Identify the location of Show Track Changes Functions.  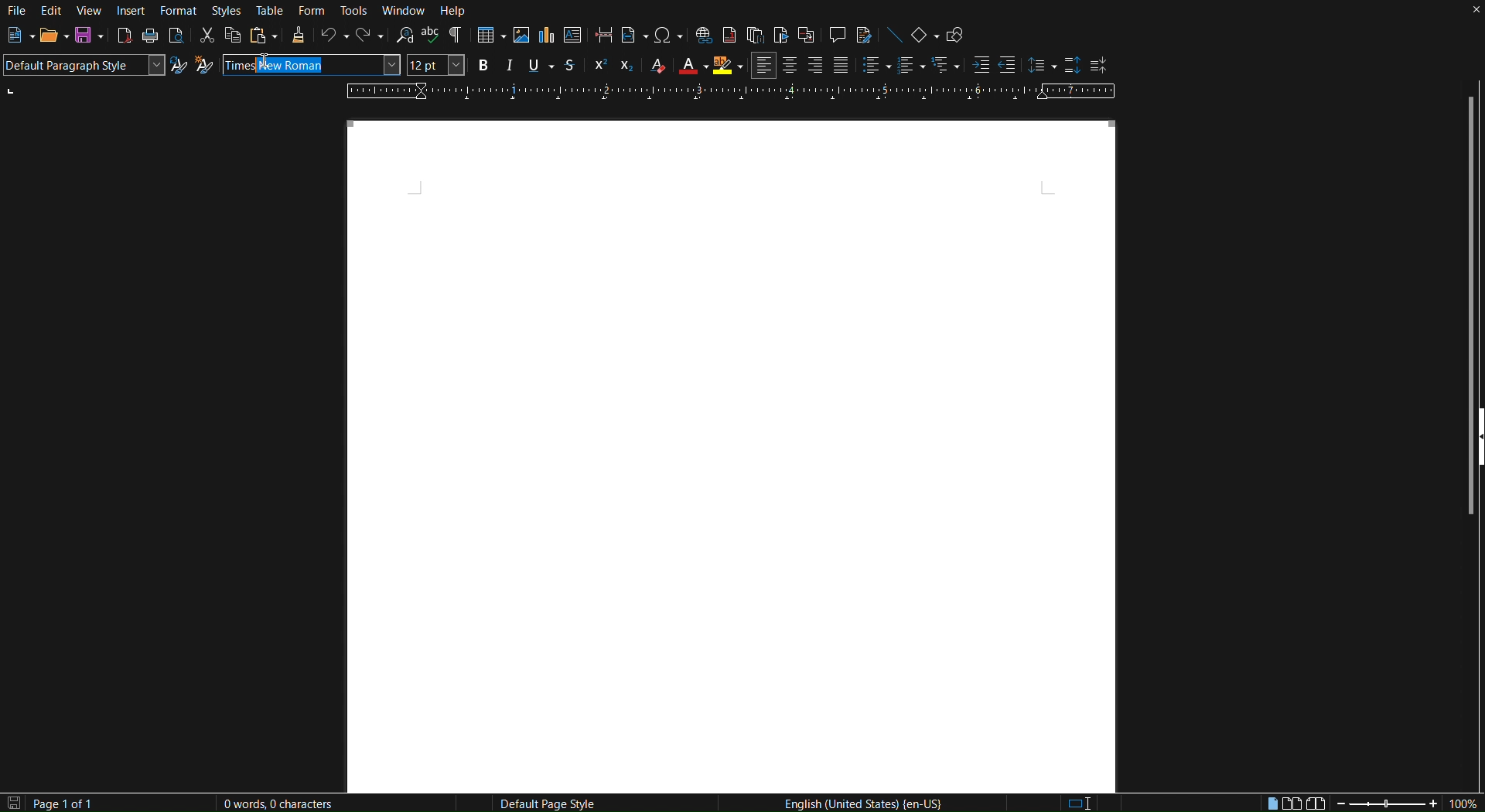
(865, 37).